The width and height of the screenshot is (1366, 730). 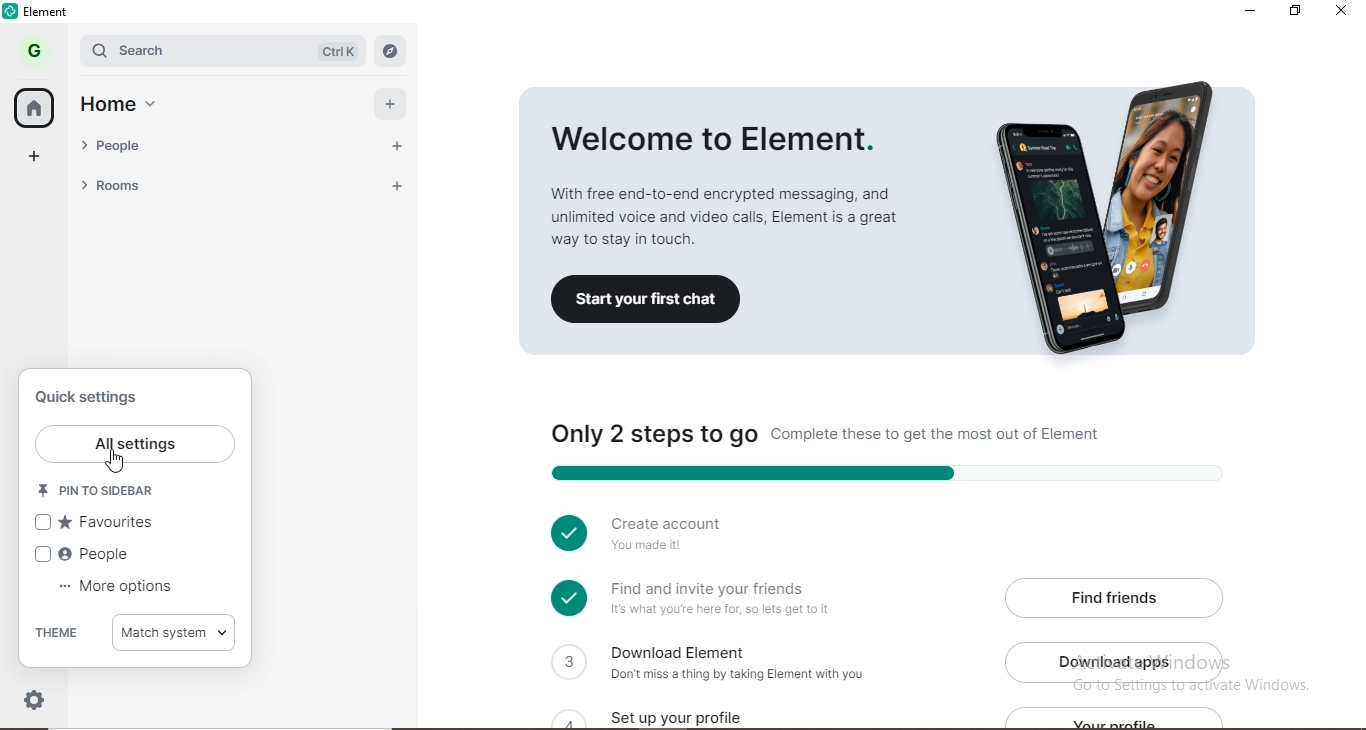 What do you see at coordinates (715, 538) in the screenshot?
I see `Create account` at bounding box center [715, 538].